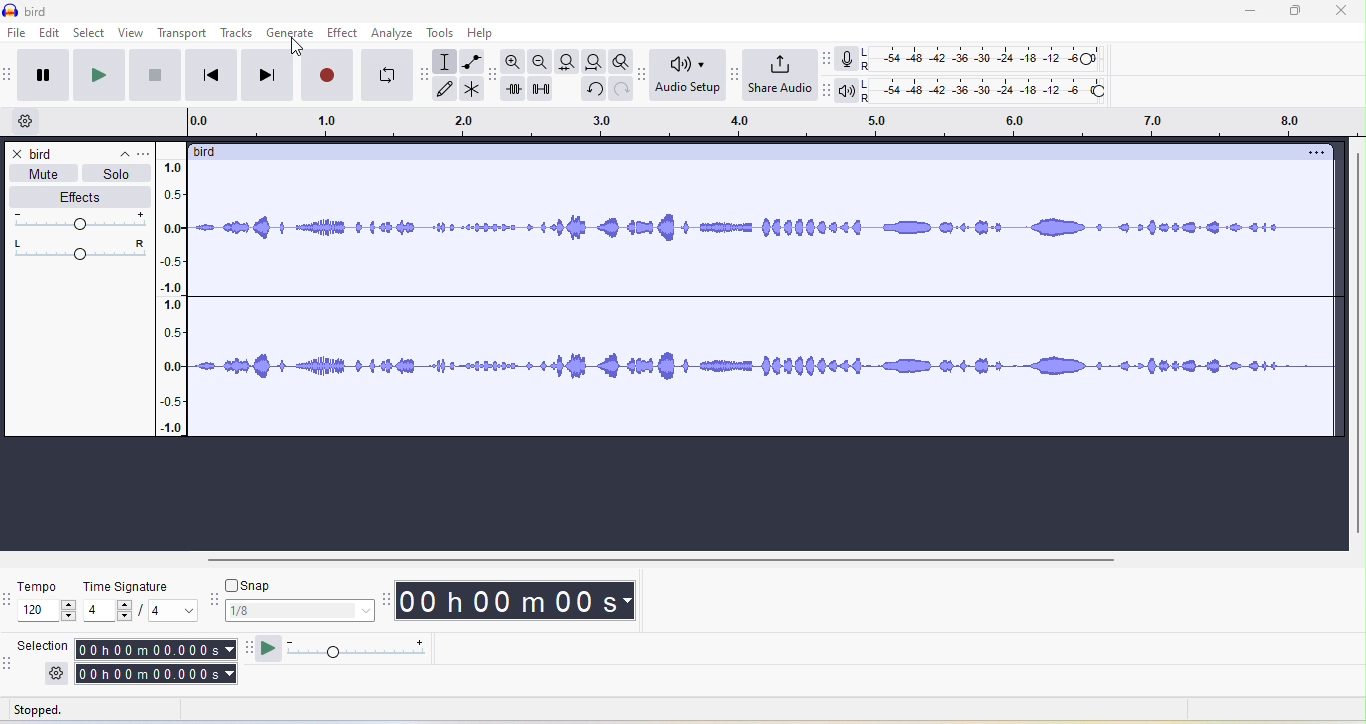  What do you see at coordinates (540, 61) in the screenshot?
I see `zoom out` at bounding box center [540, 61].